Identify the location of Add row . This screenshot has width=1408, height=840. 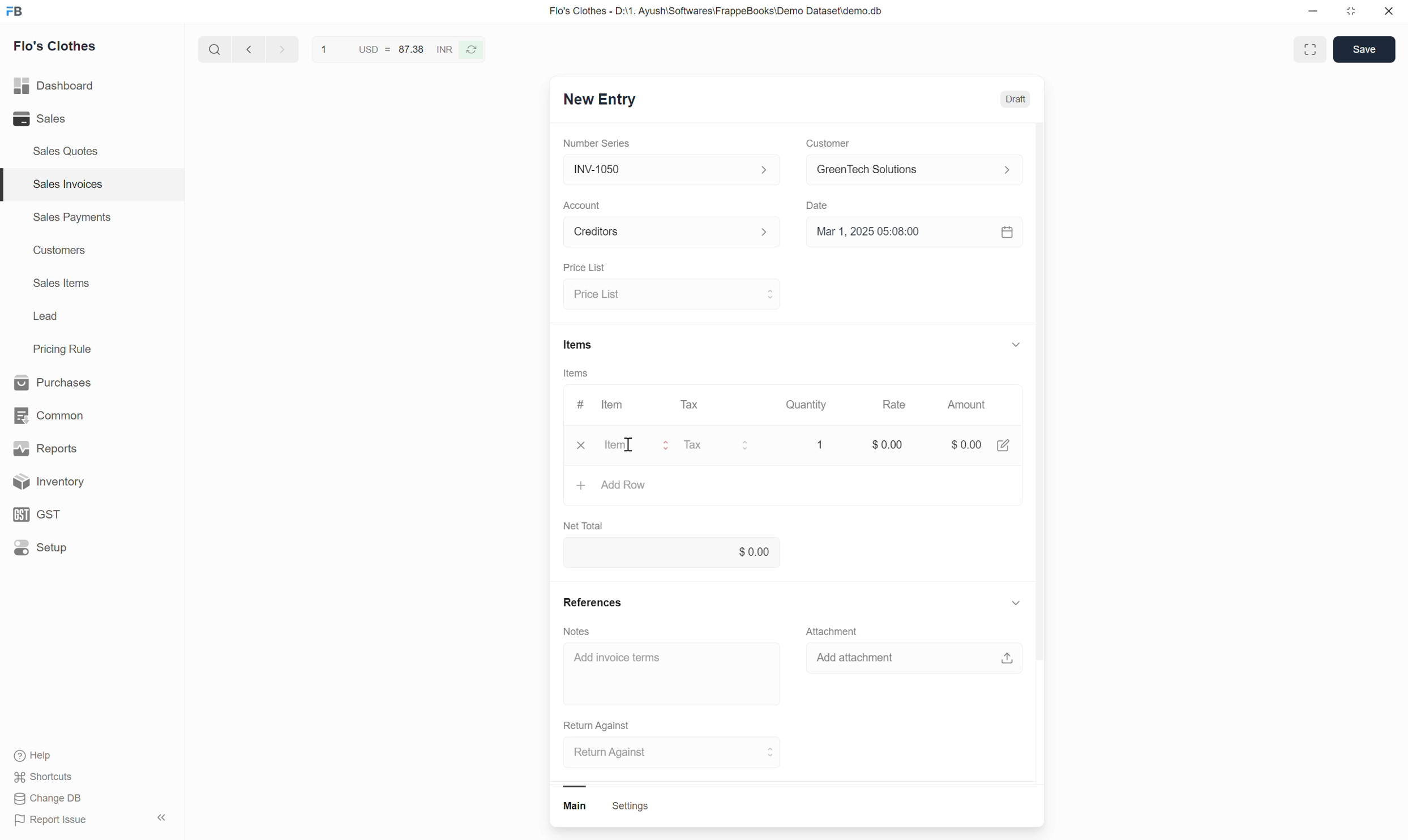
(625, 483).